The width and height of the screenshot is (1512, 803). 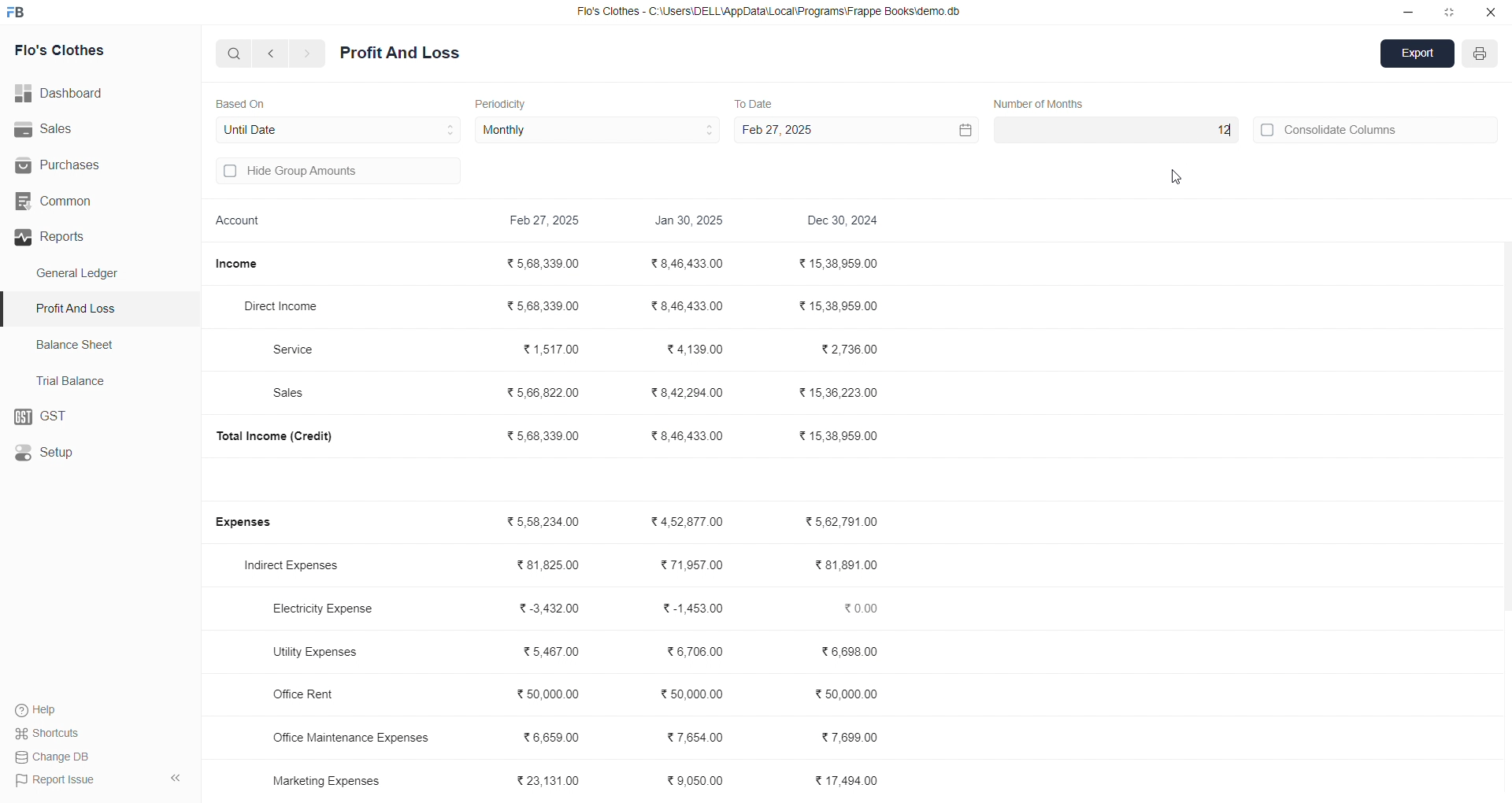 What do you see at coordinates (1449, 12) in the screenshot?
I see `resize` at bounding box center [1449, 12].